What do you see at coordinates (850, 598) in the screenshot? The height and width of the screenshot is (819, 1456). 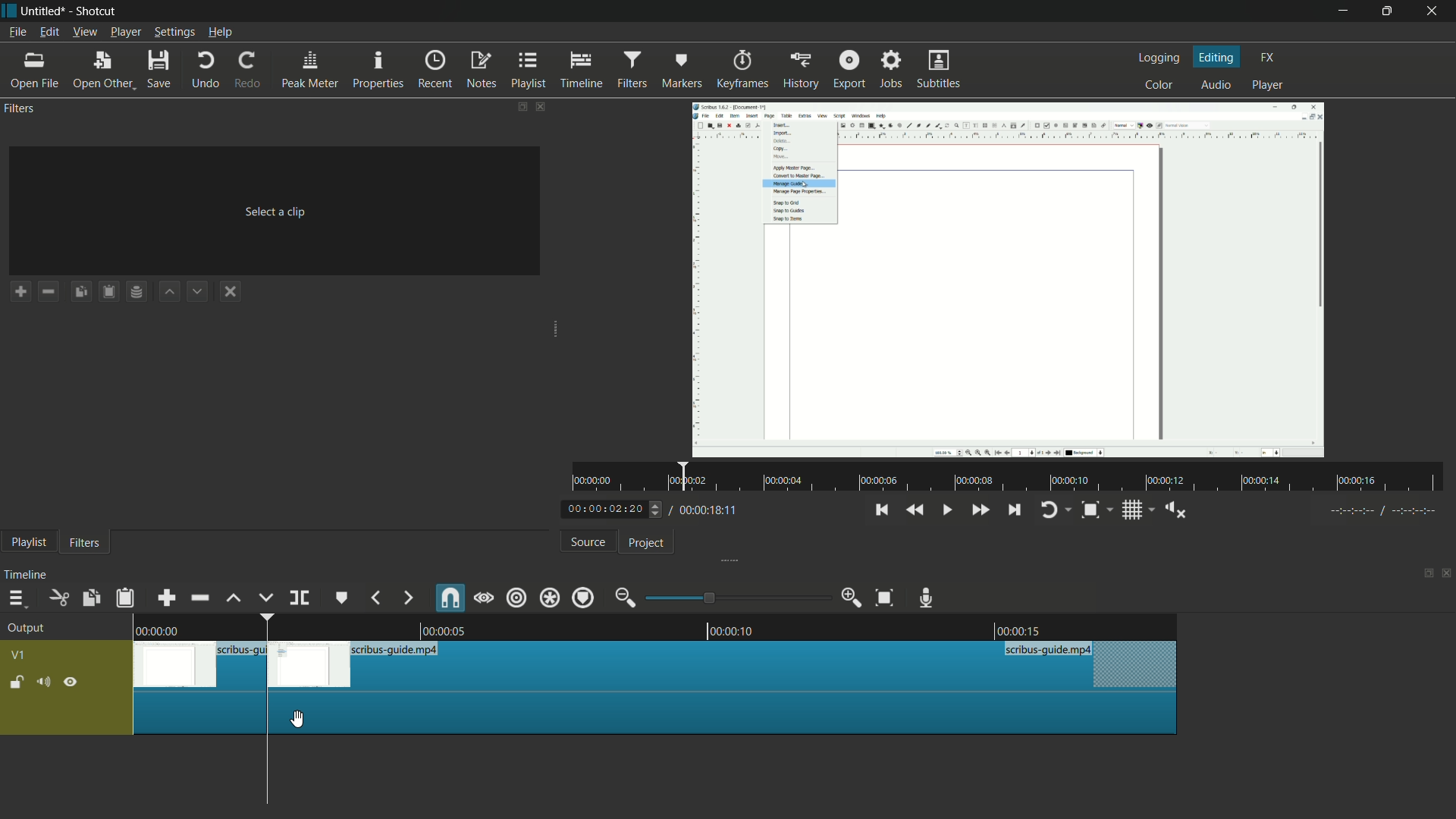 I see `zoom in` at bounding box center [850, 598].